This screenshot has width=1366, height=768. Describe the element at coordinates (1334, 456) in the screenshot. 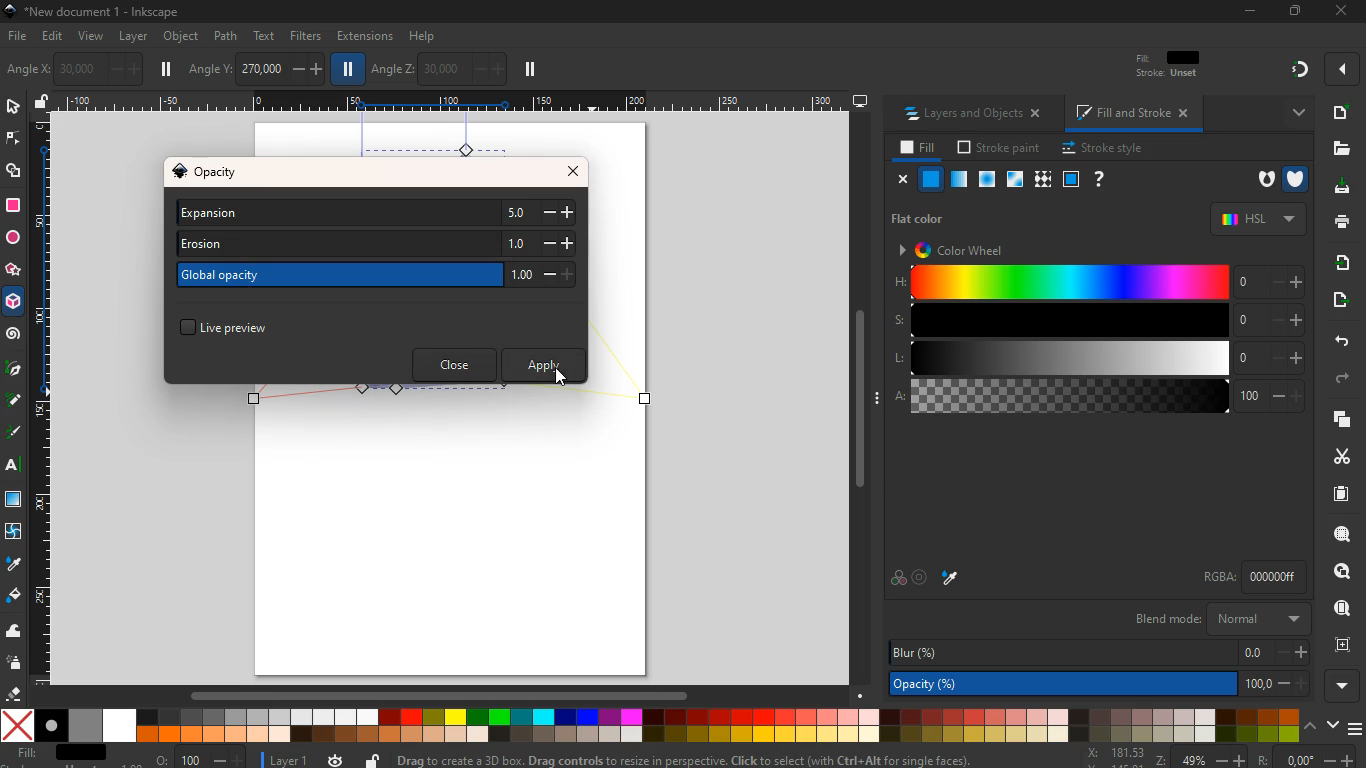

I see `cut` at that location.